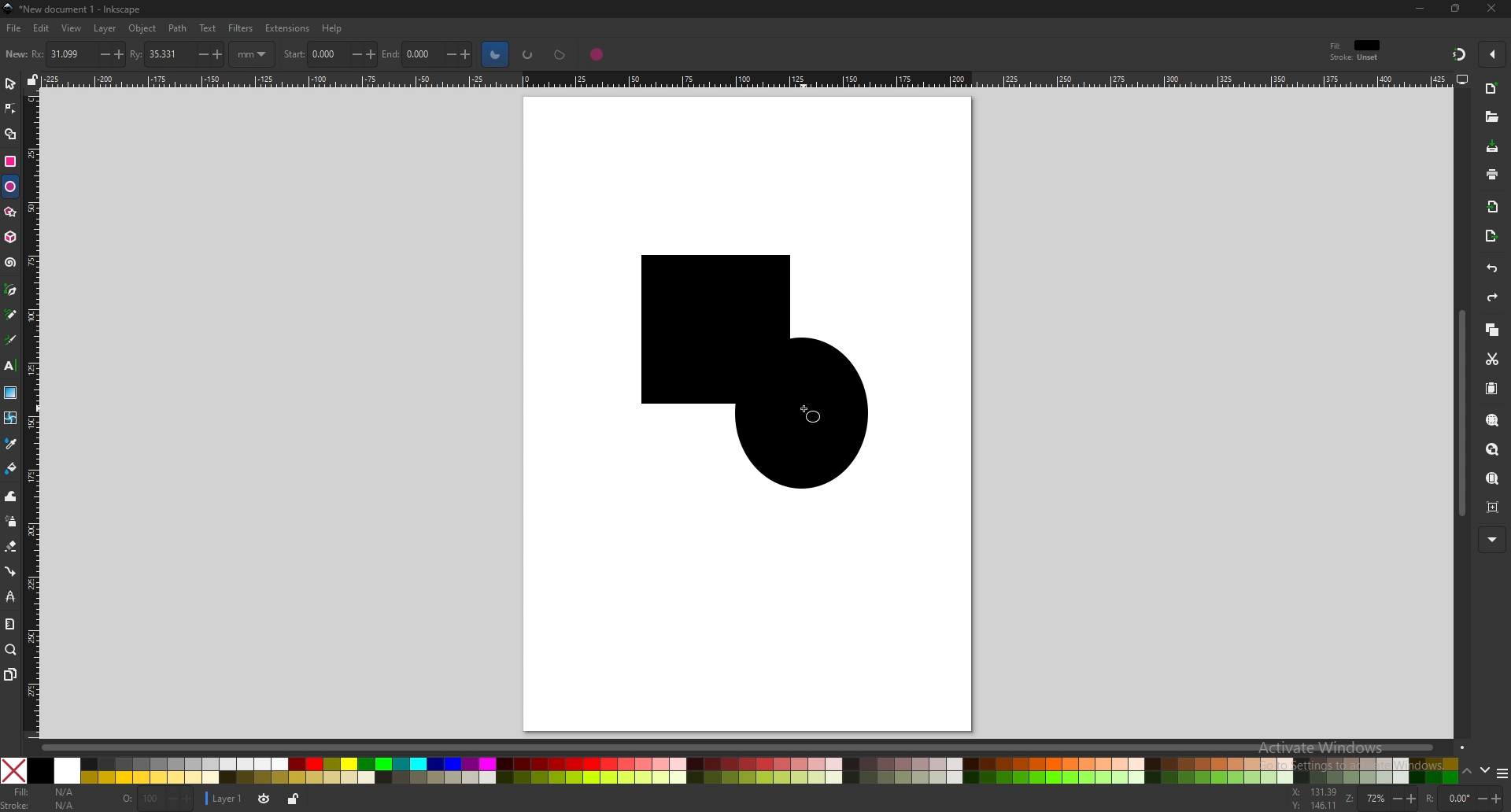 Image resolution: width=1511 pixels, height=812 pixels. Describe the element at coordinates (1492, 389) in the screenshot. I see `paste` at that location.